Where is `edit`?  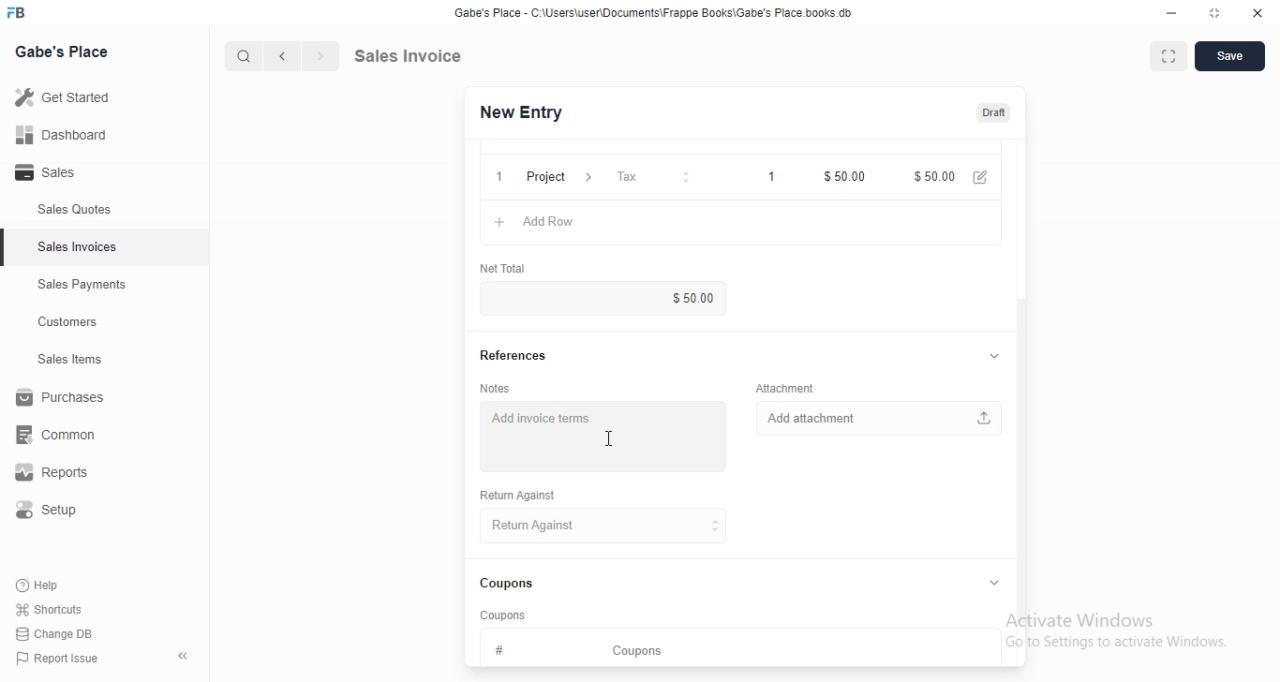 edit is located at coordinates (983, 177).